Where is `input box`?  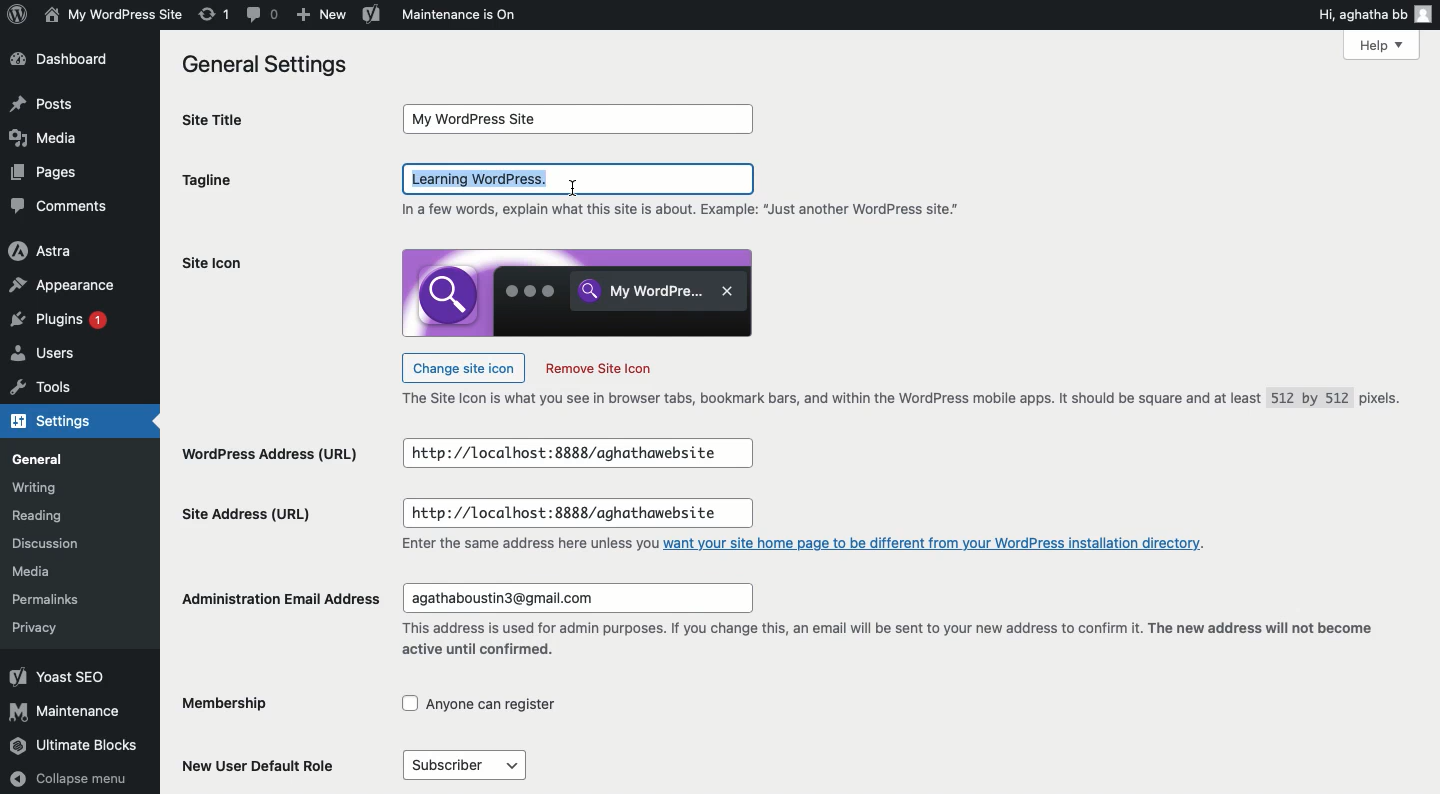 input box is located at coordinates (576, 454).